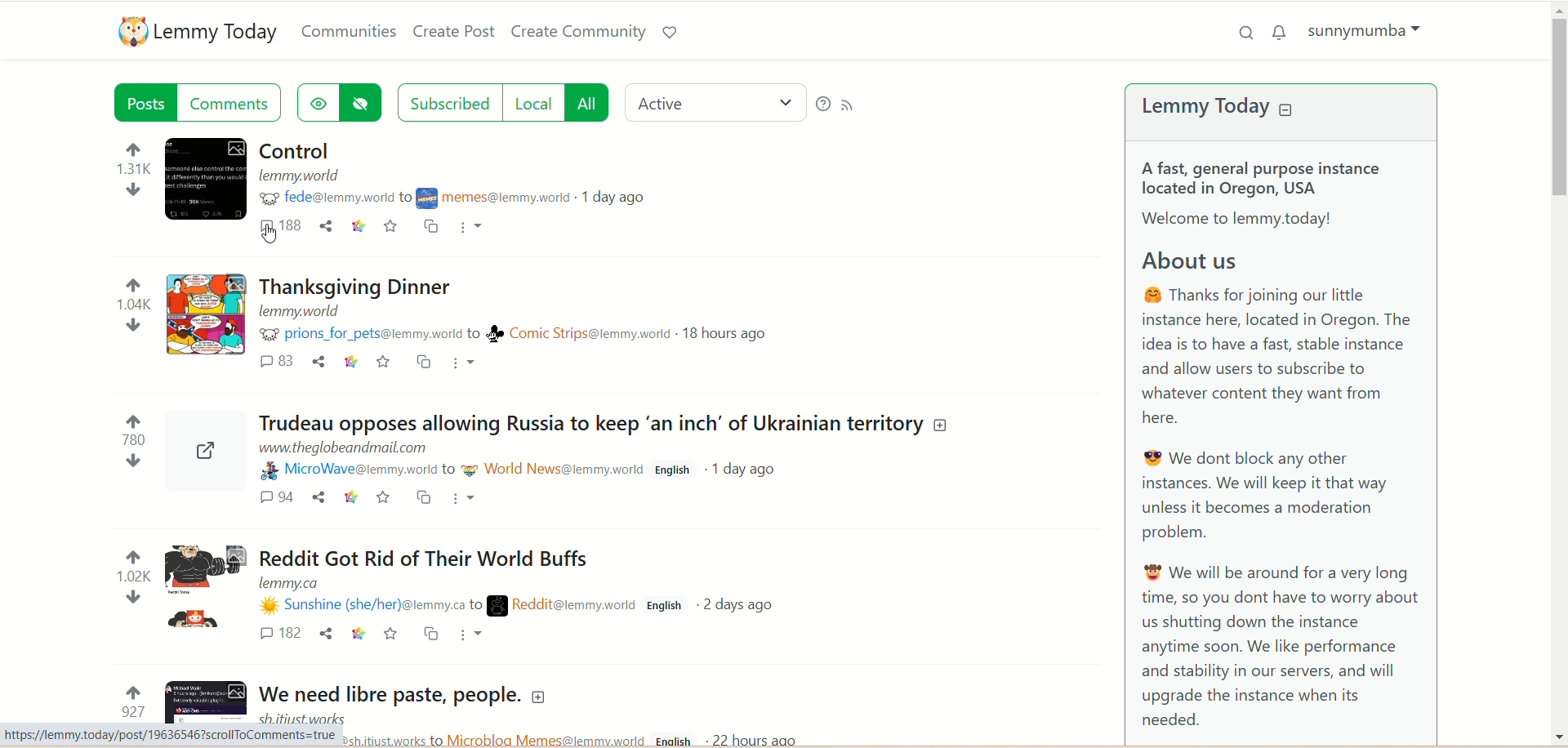  What do you see at coordinates (494, 198) in the screenshot?
I see `community` at bounding box center [494, 198].